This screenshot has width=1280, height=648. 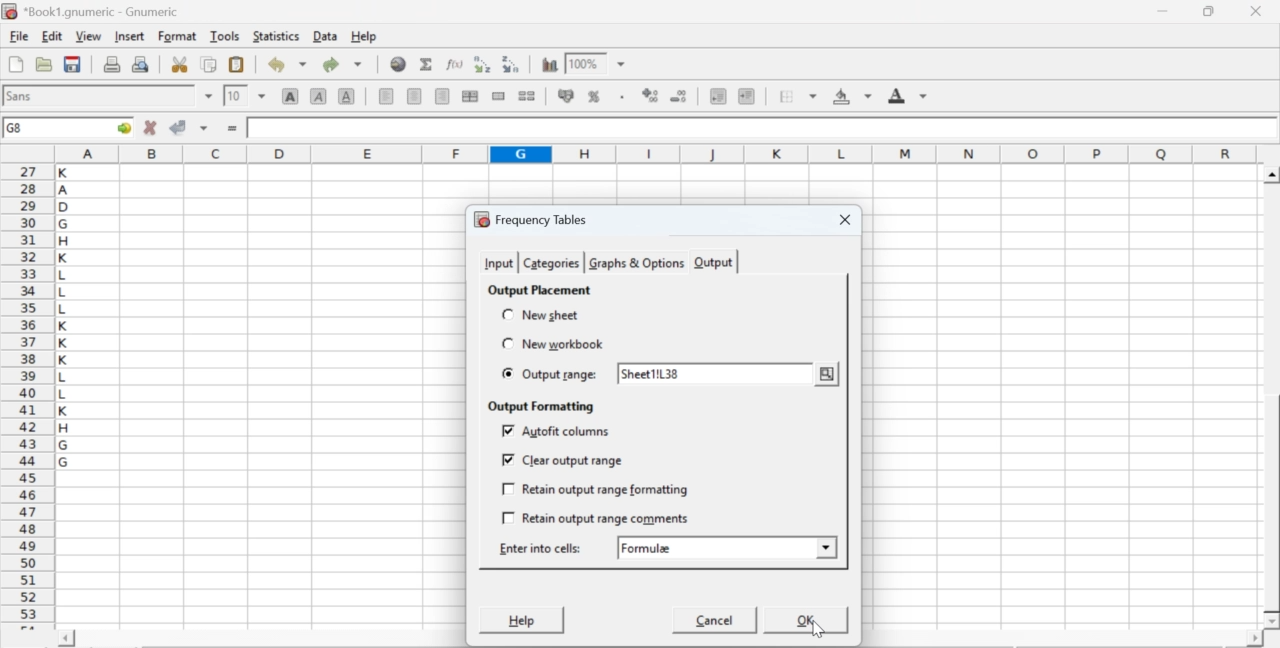 What do you see at coordinates (1210, 12) in the screenshot?
I see `restore down` at bounding box center [1210, 12].